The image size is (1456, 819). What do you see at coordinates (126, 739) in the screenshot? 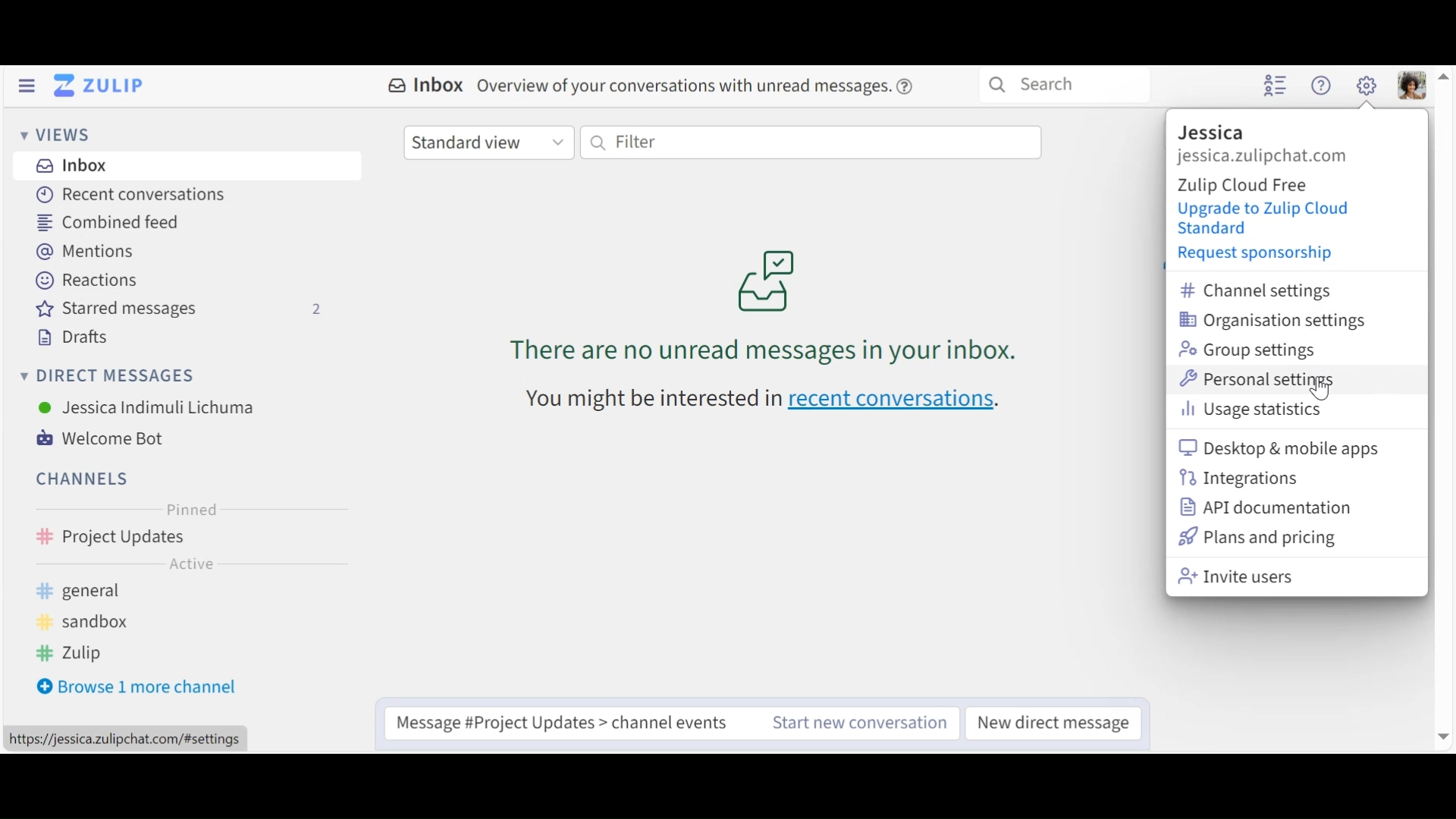
I see `https:/jessica.zulipchat.com/#settings` at bounding box center [126, 739].